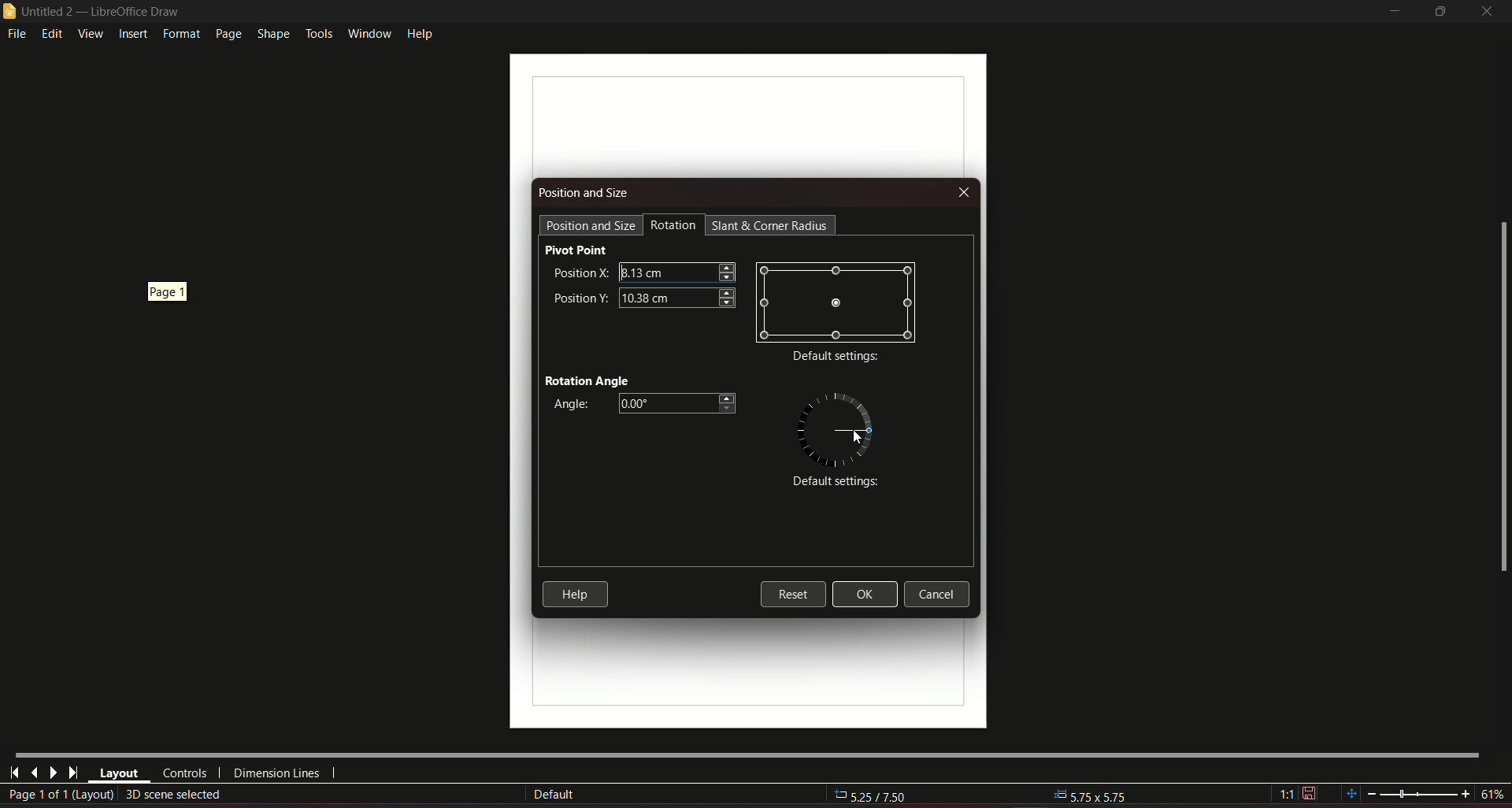 This screenshot has width=1512, height=808. I want to click on Rotation Angle, so click(587, 379).